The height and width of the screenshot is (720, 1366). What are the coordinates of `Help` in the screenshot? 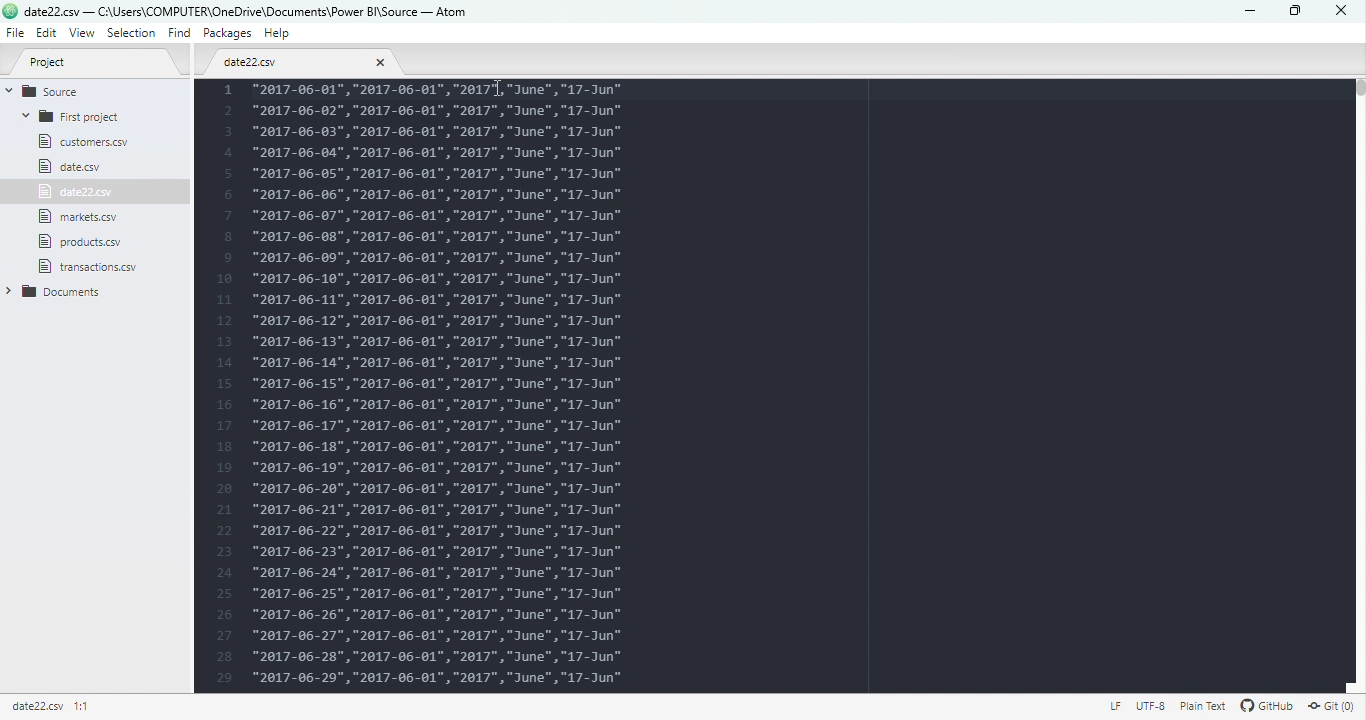 It's located at (280, 36).